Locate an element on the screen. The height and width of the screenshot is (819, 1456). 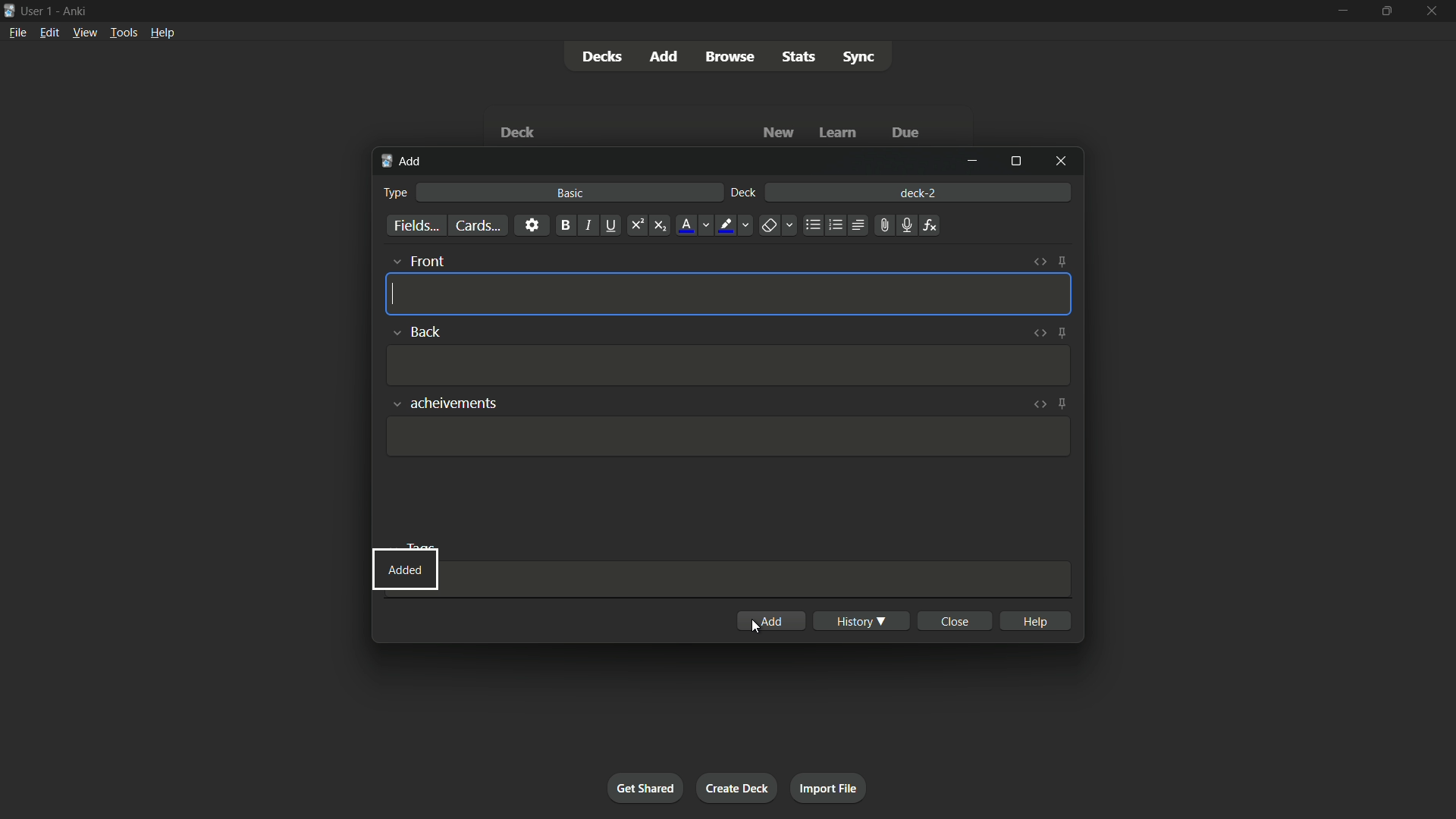
settings is located at coordinates (533, 225).